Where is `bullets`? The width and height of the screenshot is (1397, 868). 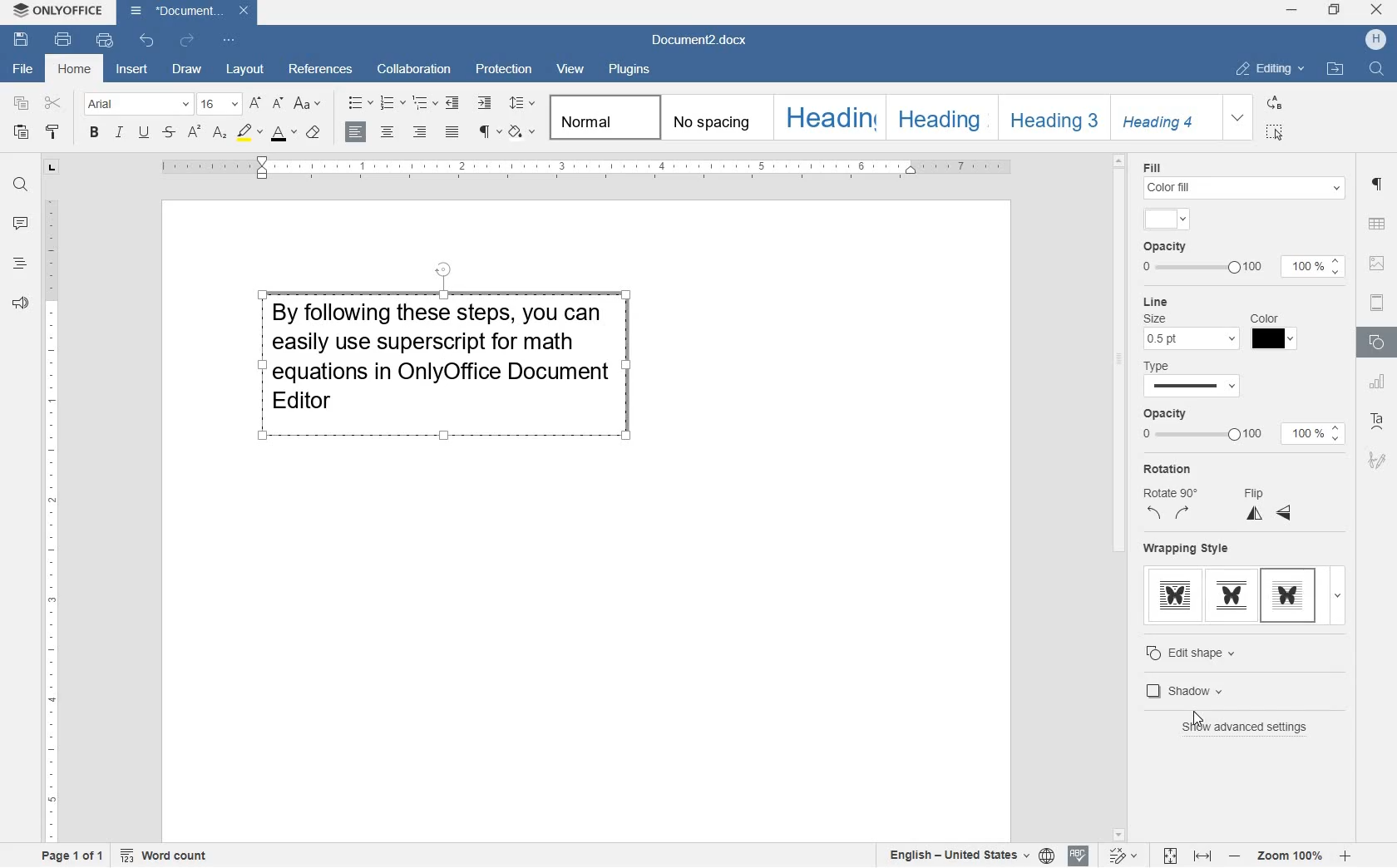
bullets is located at coordinates (361, 103).